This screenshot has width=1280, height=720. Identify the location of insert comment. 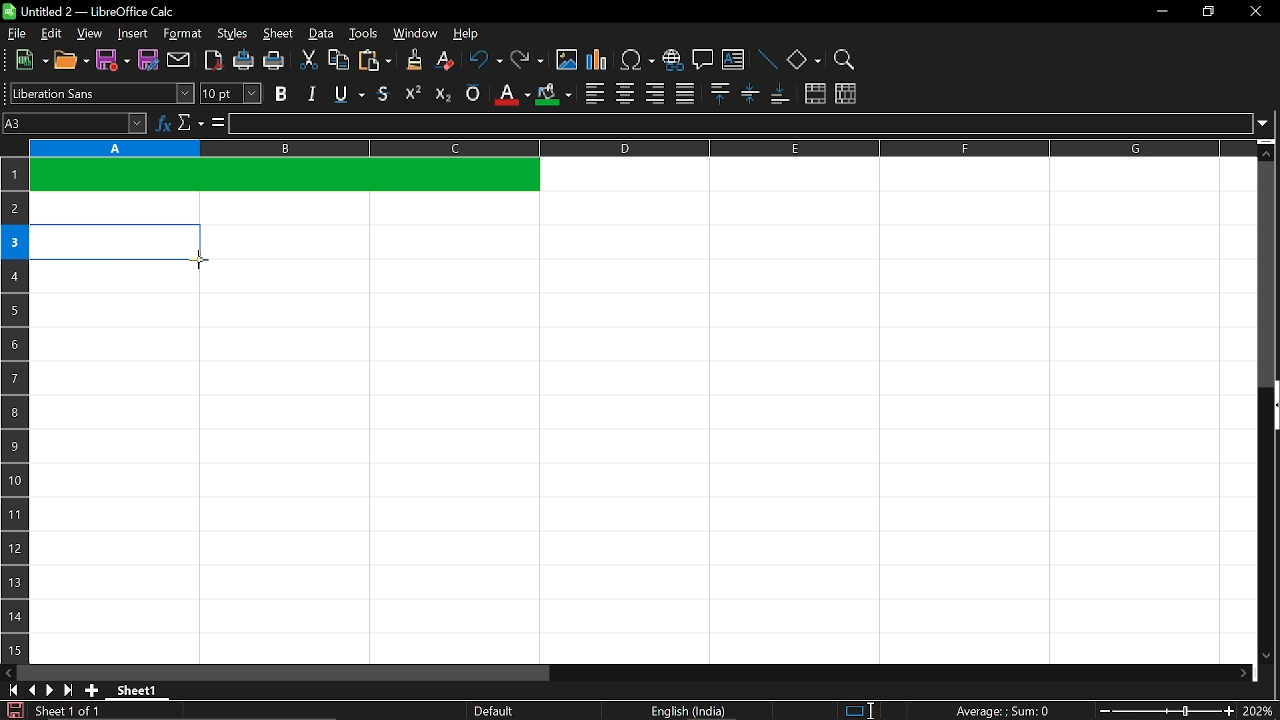
(702, 60).